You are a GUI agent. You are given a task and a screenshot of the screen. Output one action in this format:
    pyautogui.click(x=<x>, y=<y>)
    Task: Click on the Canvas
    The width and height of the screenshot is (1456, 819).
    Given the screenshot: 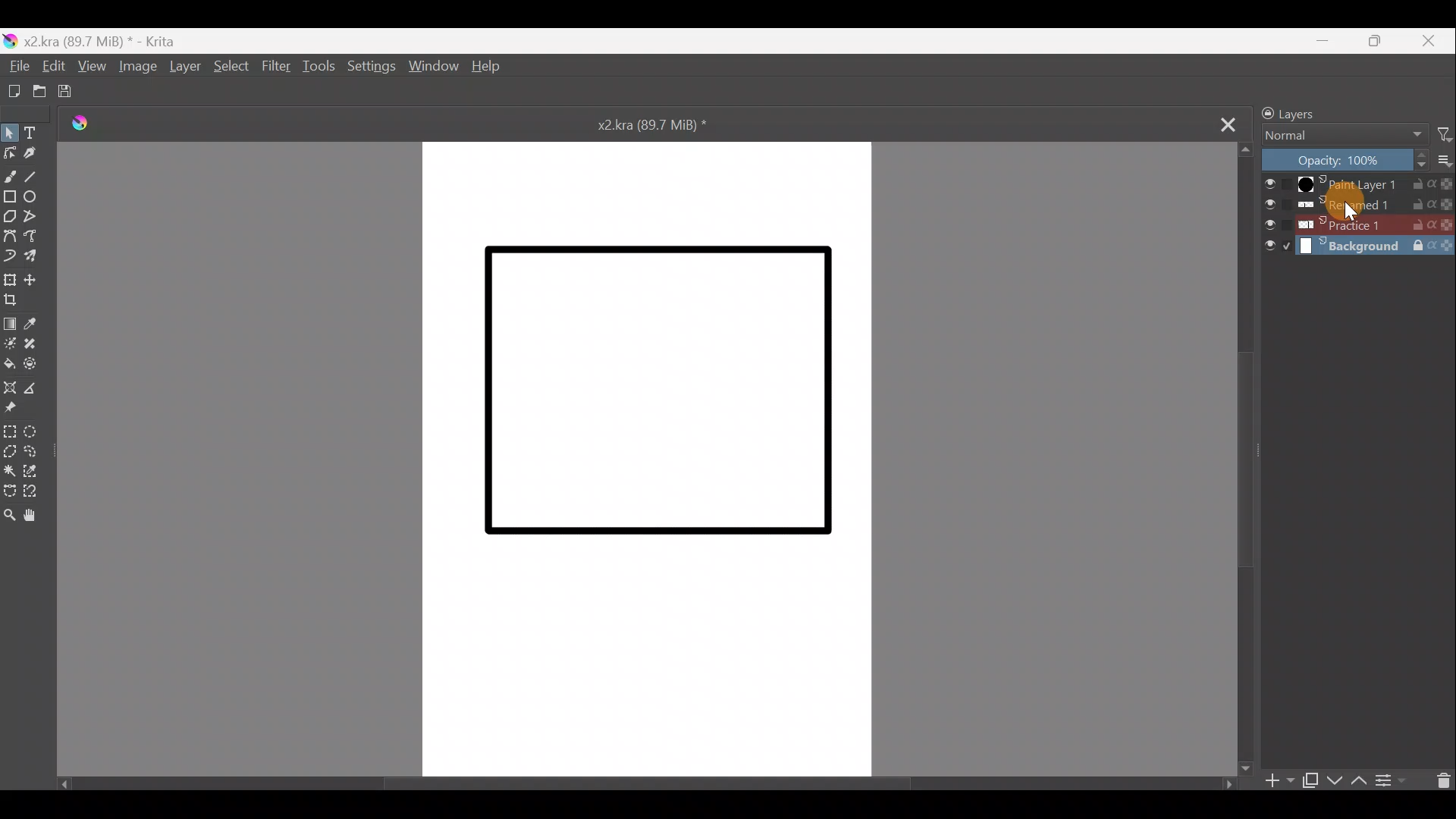 What is the action you would take?
    pyautogui.click(x=650, y=457)
    